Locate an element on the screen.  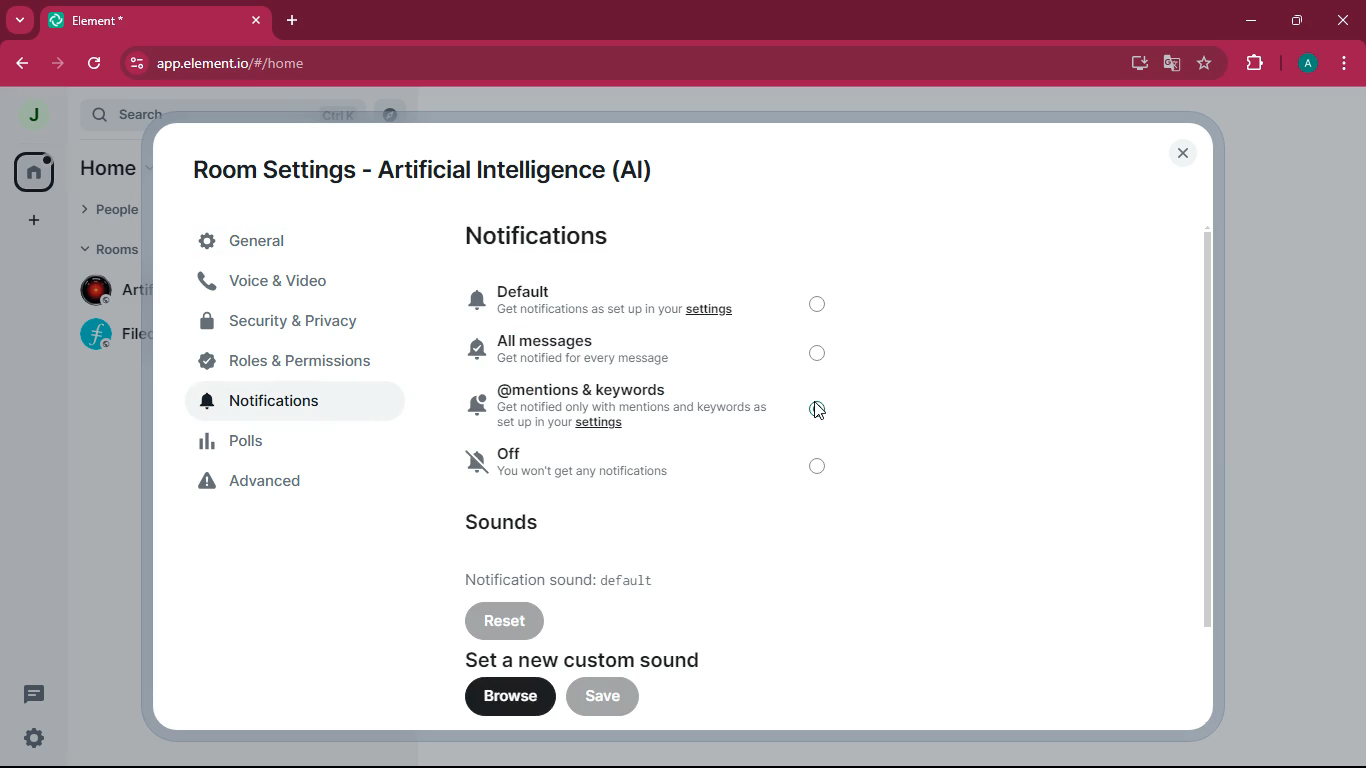
dvanced is located at coordinates (293, 484).